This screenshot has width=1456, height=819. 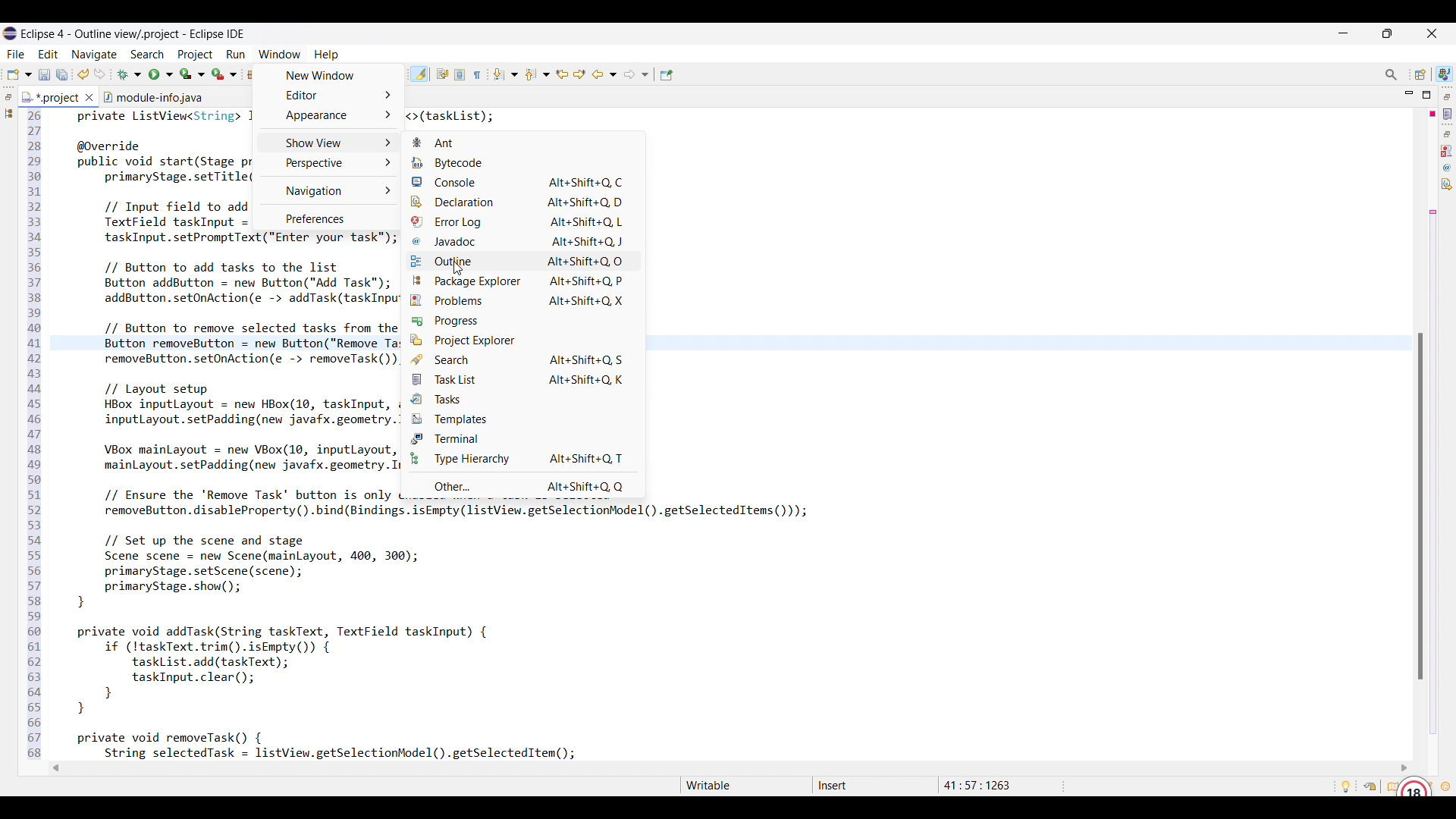 What do you see at coordinates (522, 359) in the screenshot?
I see `Search` at bounding box center [522, 359].